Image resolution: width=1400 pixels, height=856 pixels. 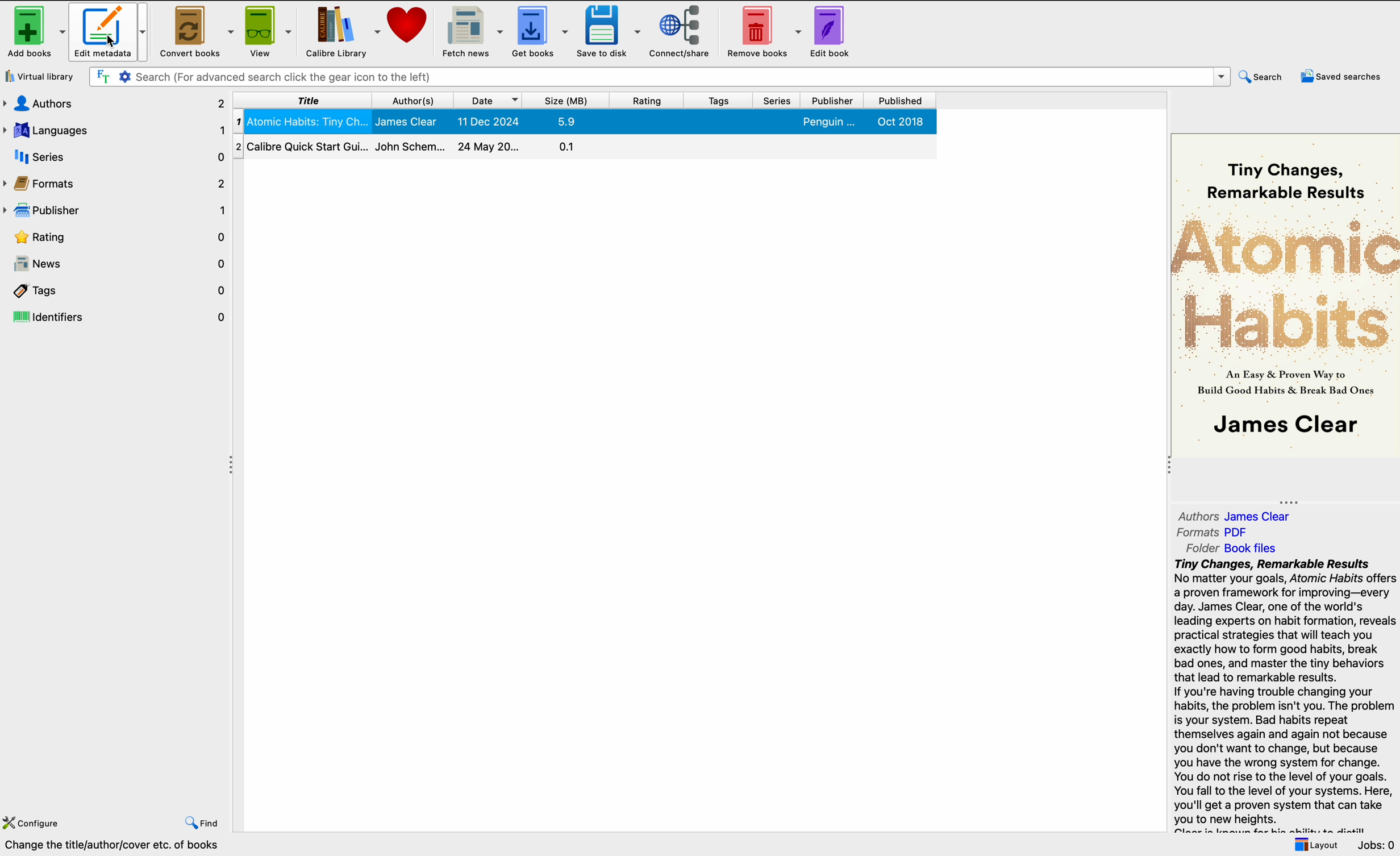 What do you see at coordinates (475, 31) in the screenshot?
I see `fetch news` at bounding box center [475, 31].